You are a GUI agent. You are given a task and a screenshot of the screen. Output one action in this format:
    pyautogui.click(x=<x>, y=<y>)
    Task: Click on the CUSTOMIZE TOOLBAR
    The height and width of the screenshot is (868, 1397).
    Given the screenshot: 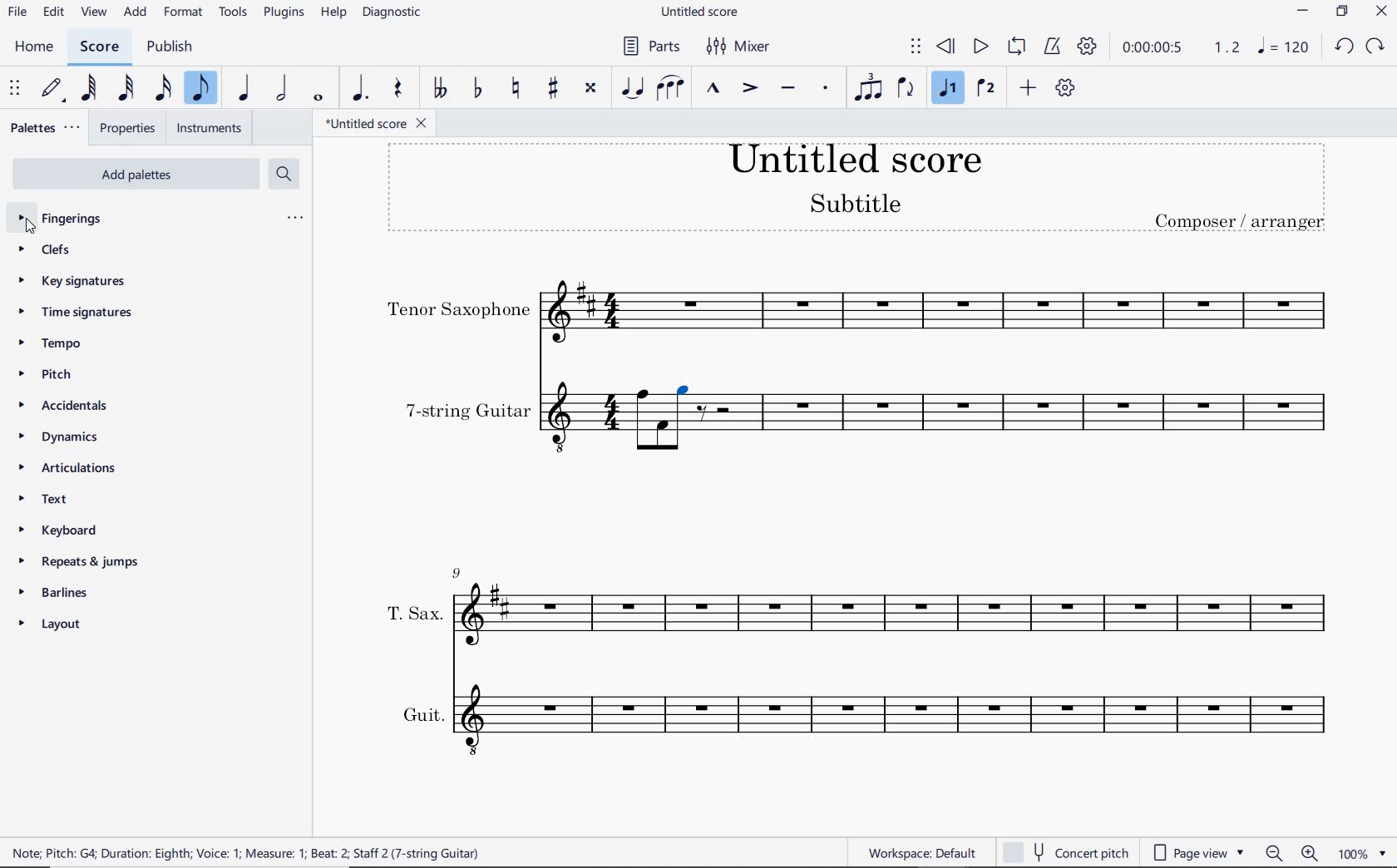 What is the action you would take?
    pyautogui.click(x=1064, y=87)
    